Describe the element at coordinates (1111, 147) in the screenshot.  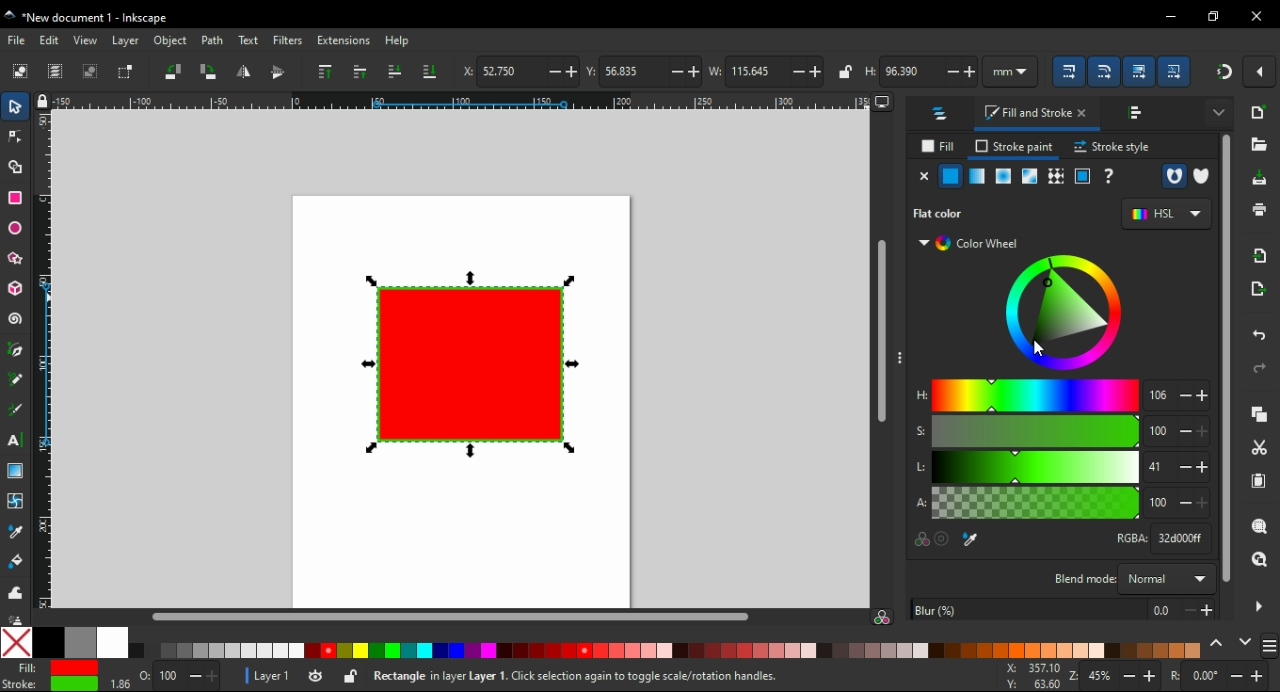
I see `stroke style` at that location.